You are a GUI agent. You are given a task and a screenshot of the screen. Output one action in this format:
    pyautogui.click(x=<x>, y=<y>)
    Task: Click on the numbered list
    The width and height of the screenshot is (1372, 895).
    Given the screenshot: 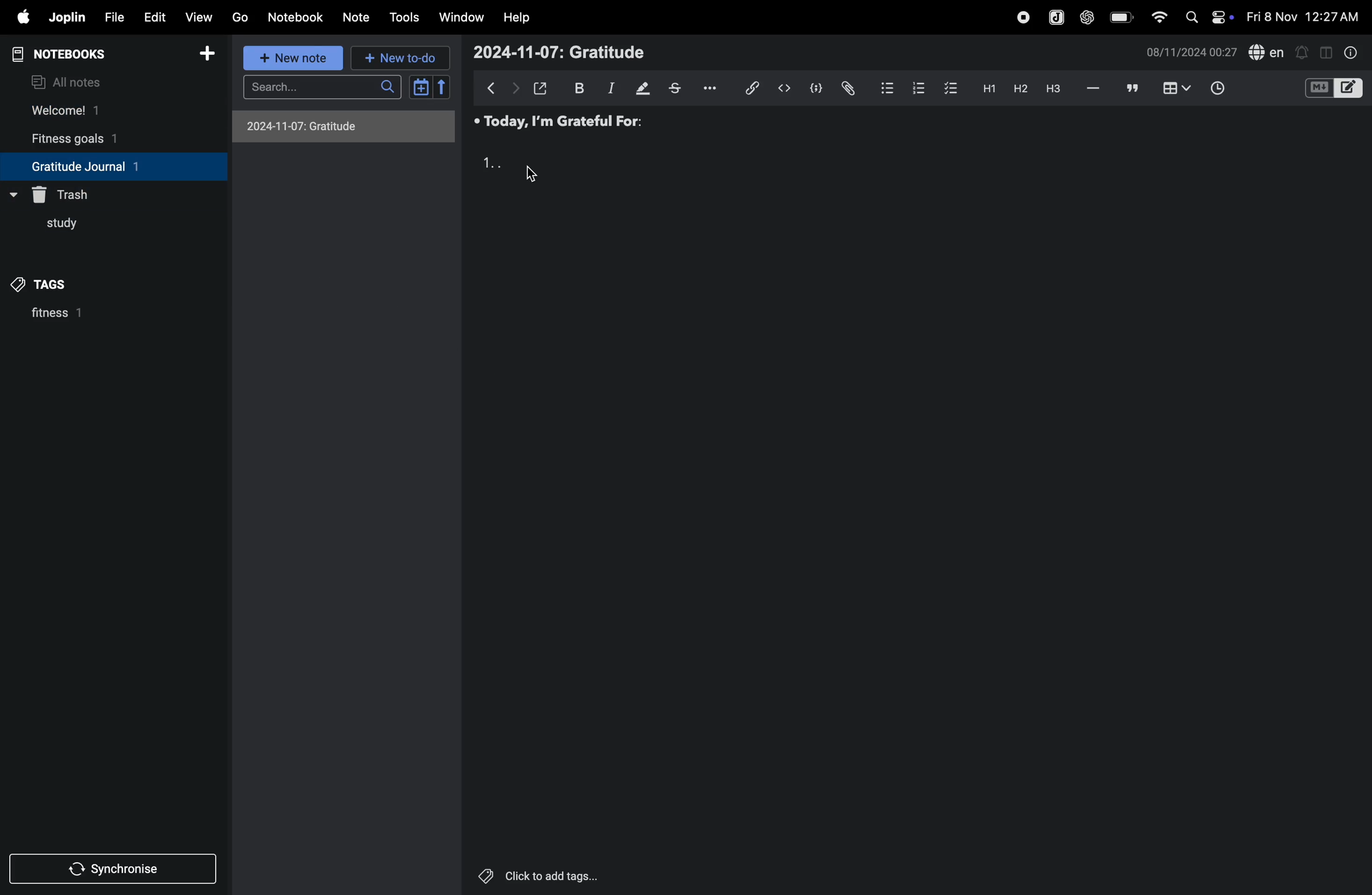 What is the action you would take?
    pyautogui.click(x=914, y=88)
    